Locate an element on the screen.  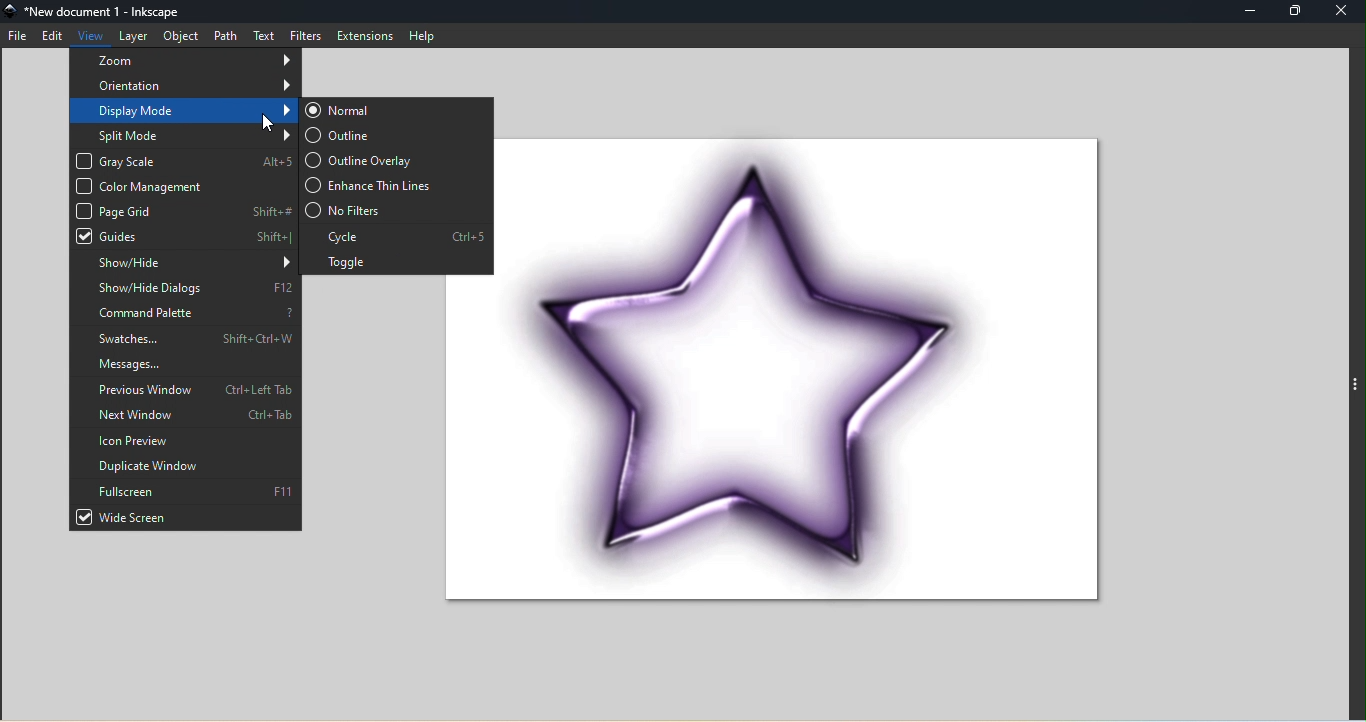
Path is located at coordinates (224, 36).